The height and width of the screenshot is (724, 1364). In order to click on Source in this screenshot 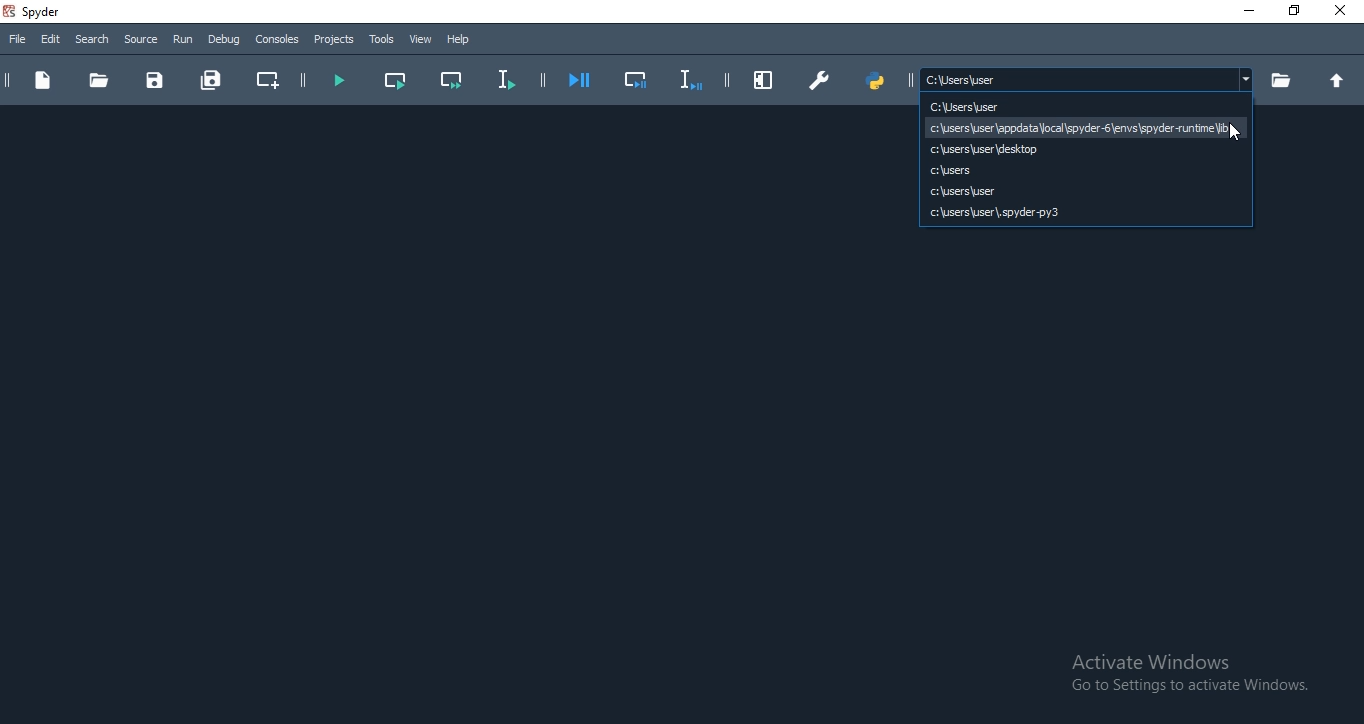, I will do `click(140, 40)`.